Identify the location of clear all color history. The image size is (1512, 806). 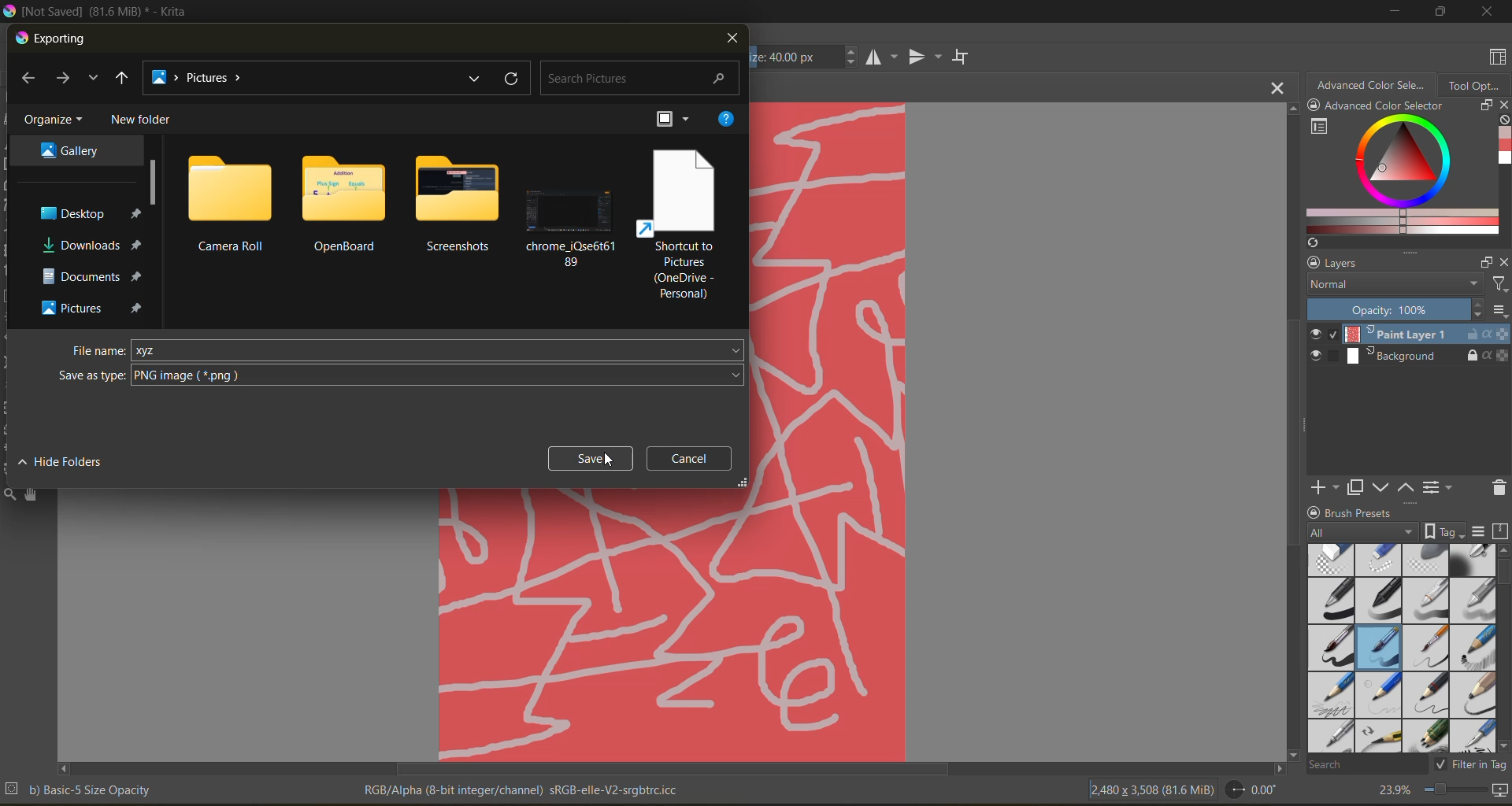
(1503, 121).